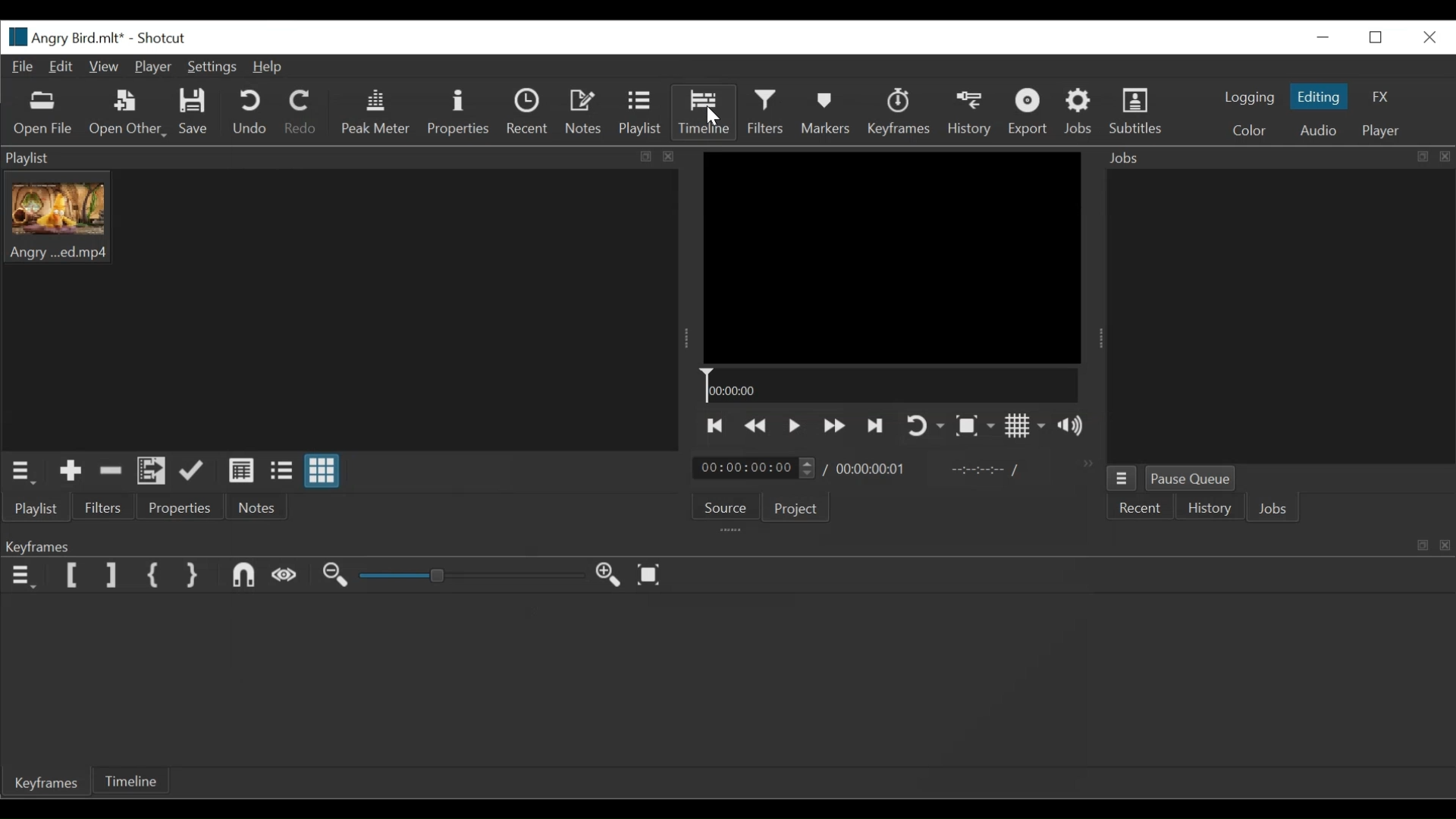  What do you see at coordinates (58, 67) in the screenshot?
I see `Edit` at bounding box center [58, 67].